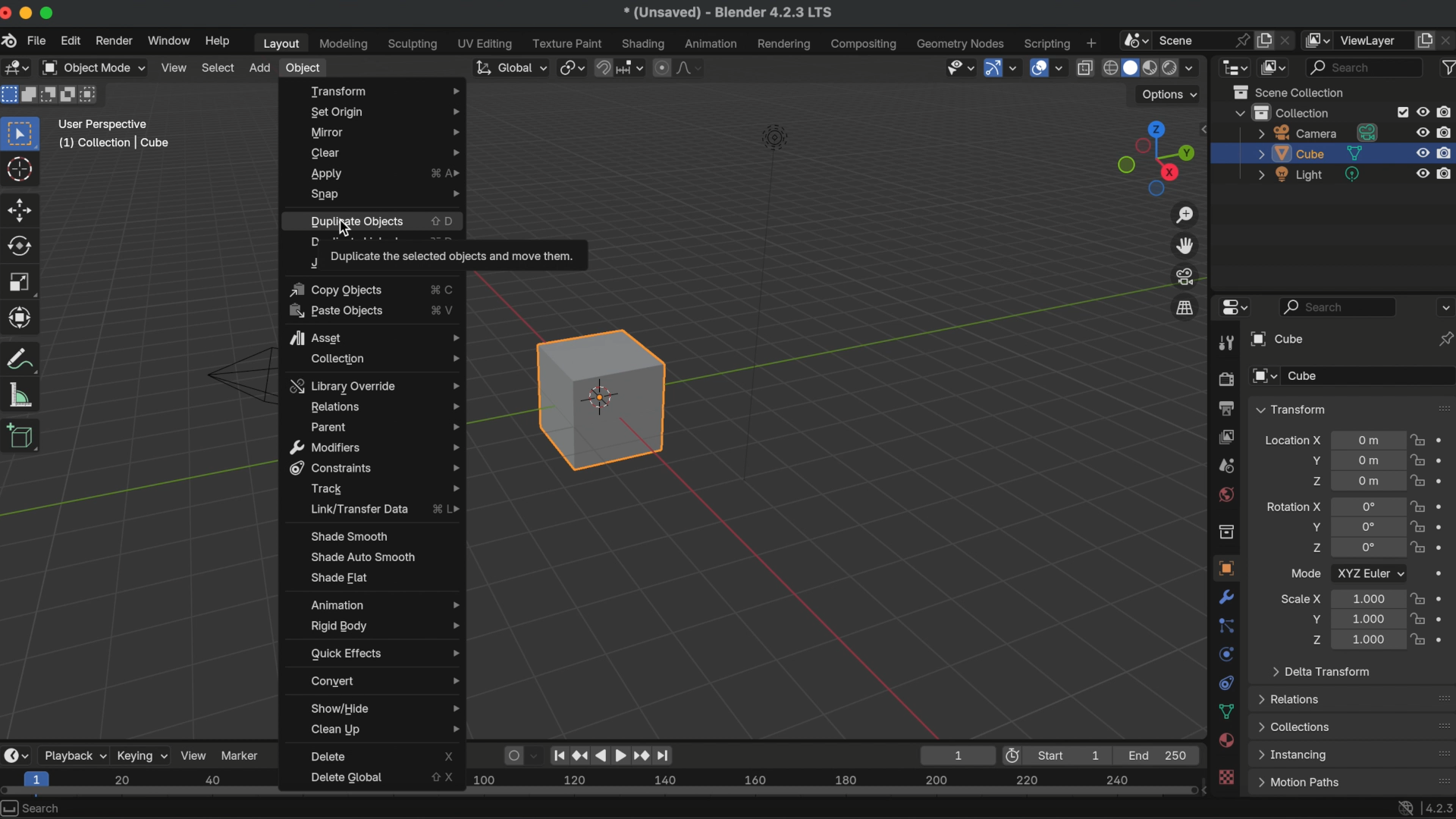 This screenshot has width=1456, height=819. I want to click on lock location, so click(1418, 442).